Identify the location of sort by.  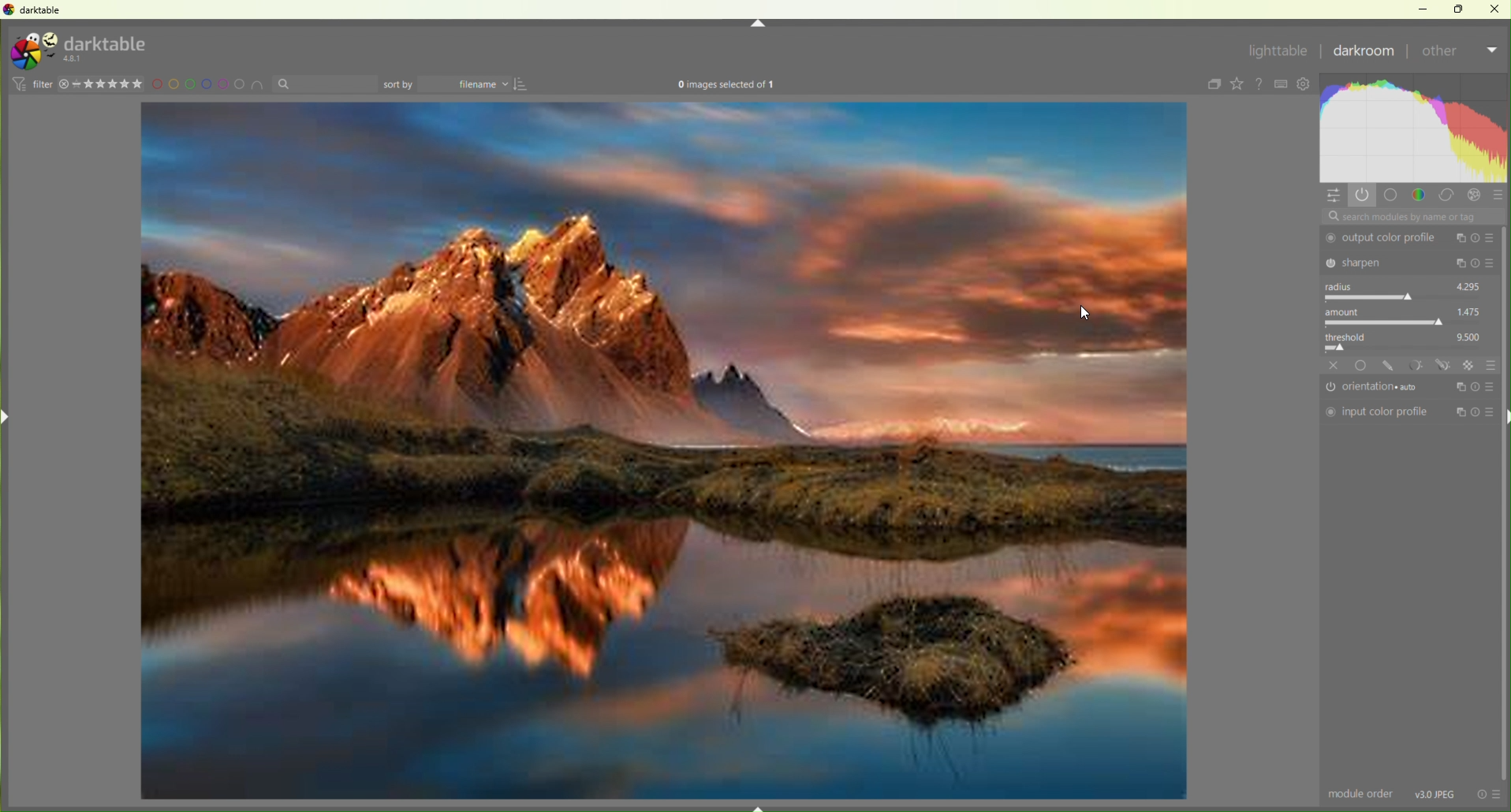
(325, 84).